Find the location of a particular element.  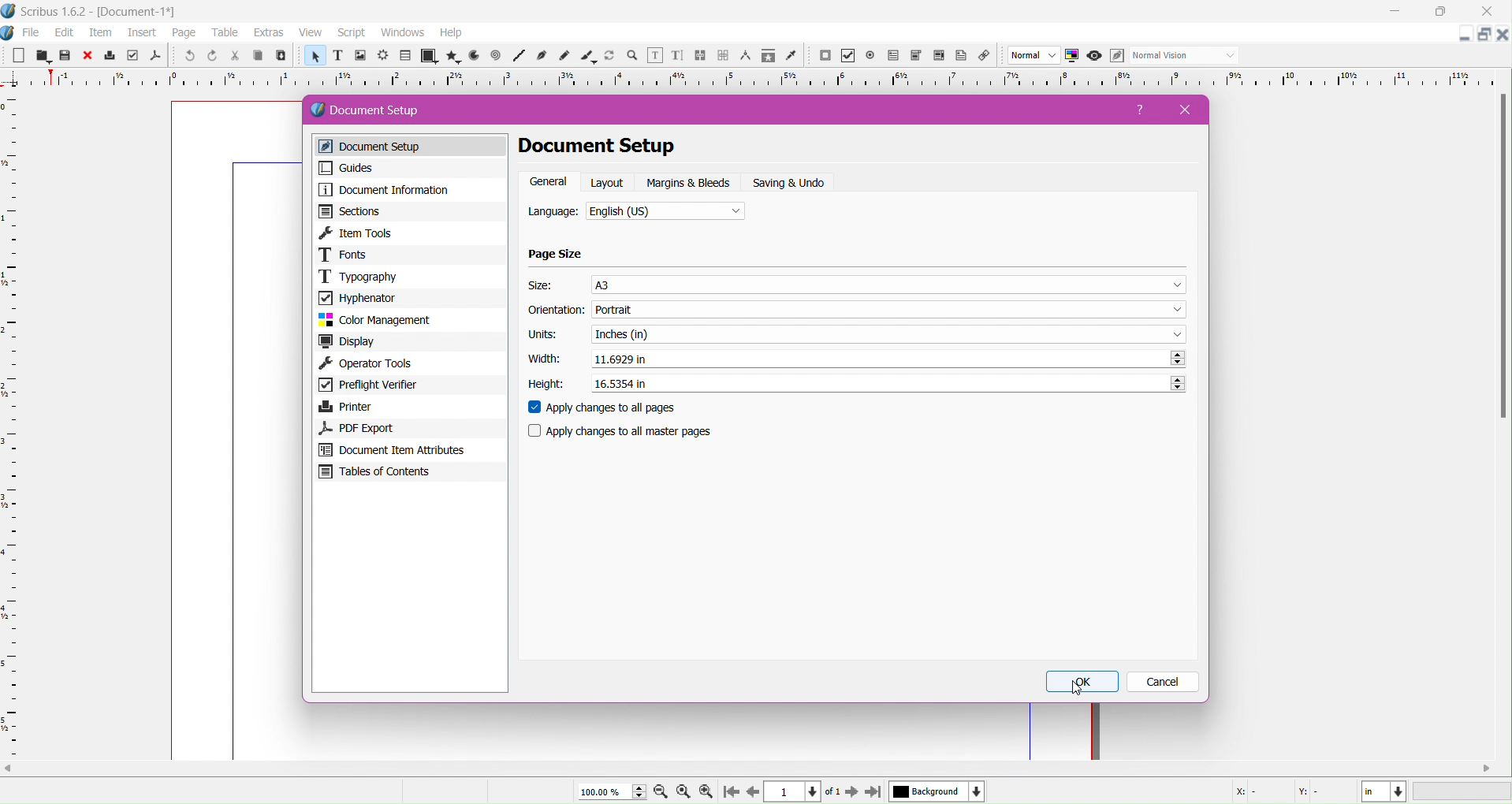

minimize document is located at coordinates (1460, 37).